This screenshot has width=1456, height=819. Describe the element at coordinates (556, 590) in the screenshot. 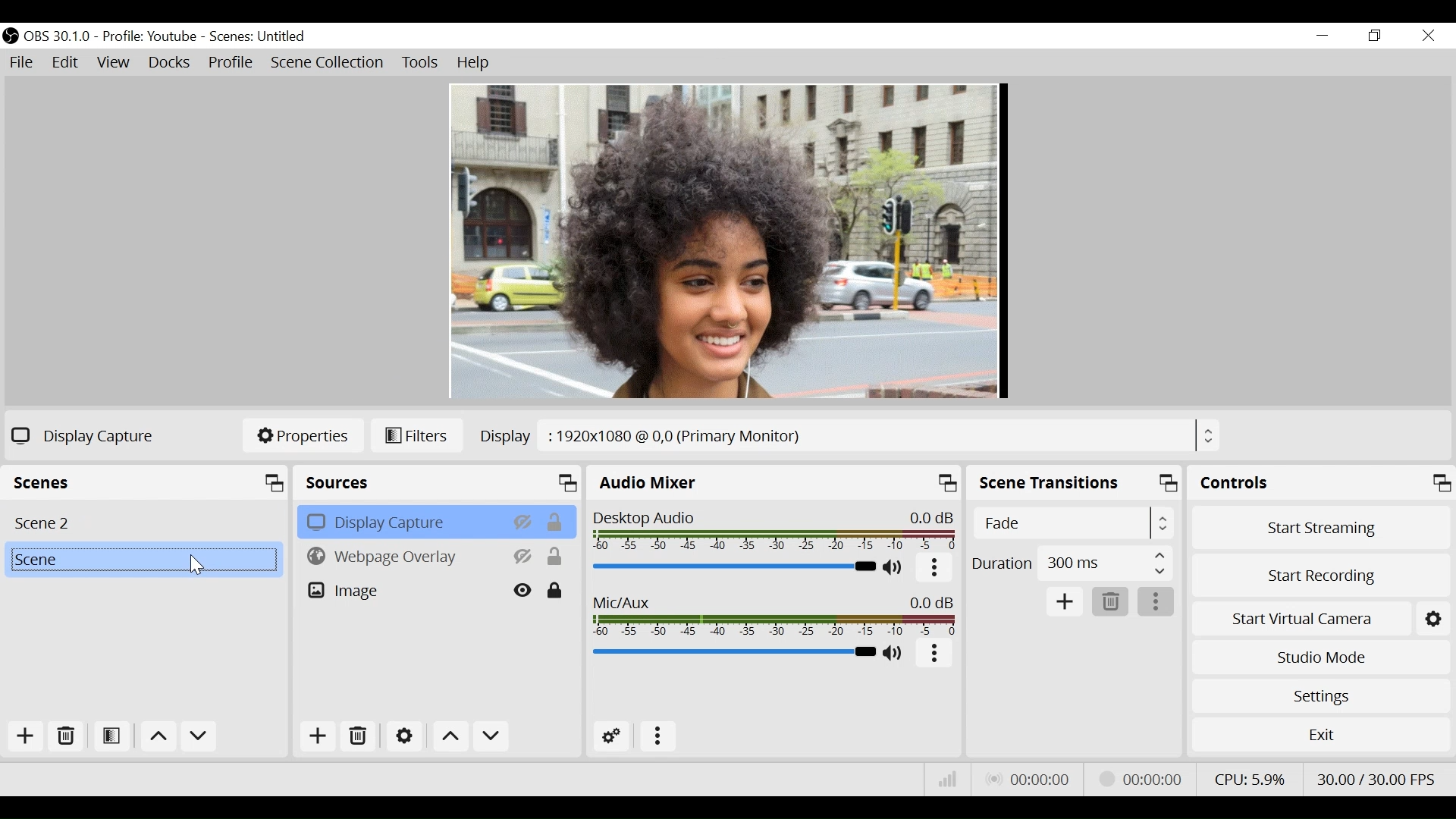

I see `(un)lock` at that location.